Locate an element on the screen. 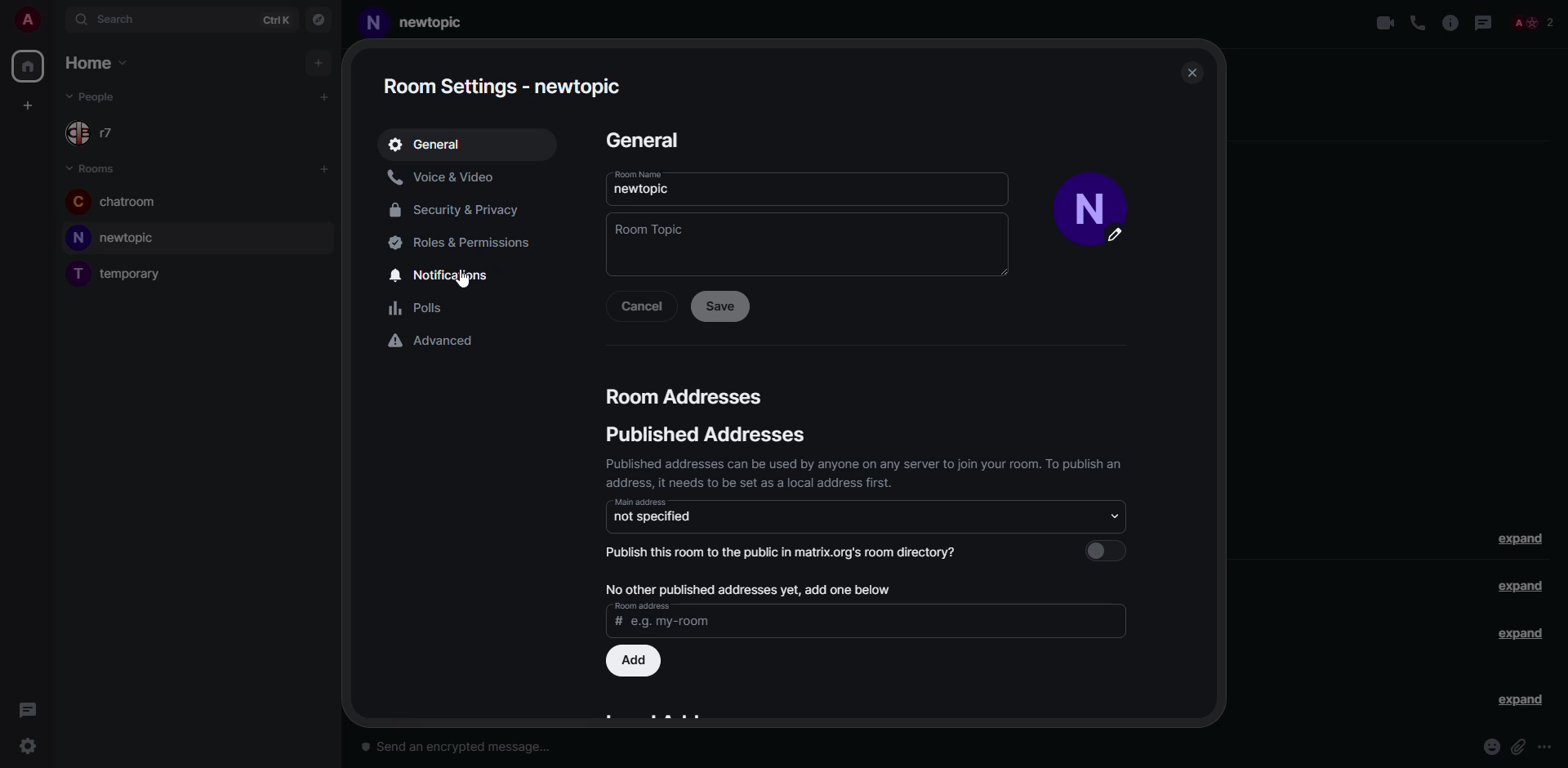 This screenshot has height=768, width=1568. add is located at coordinates (321, 66).